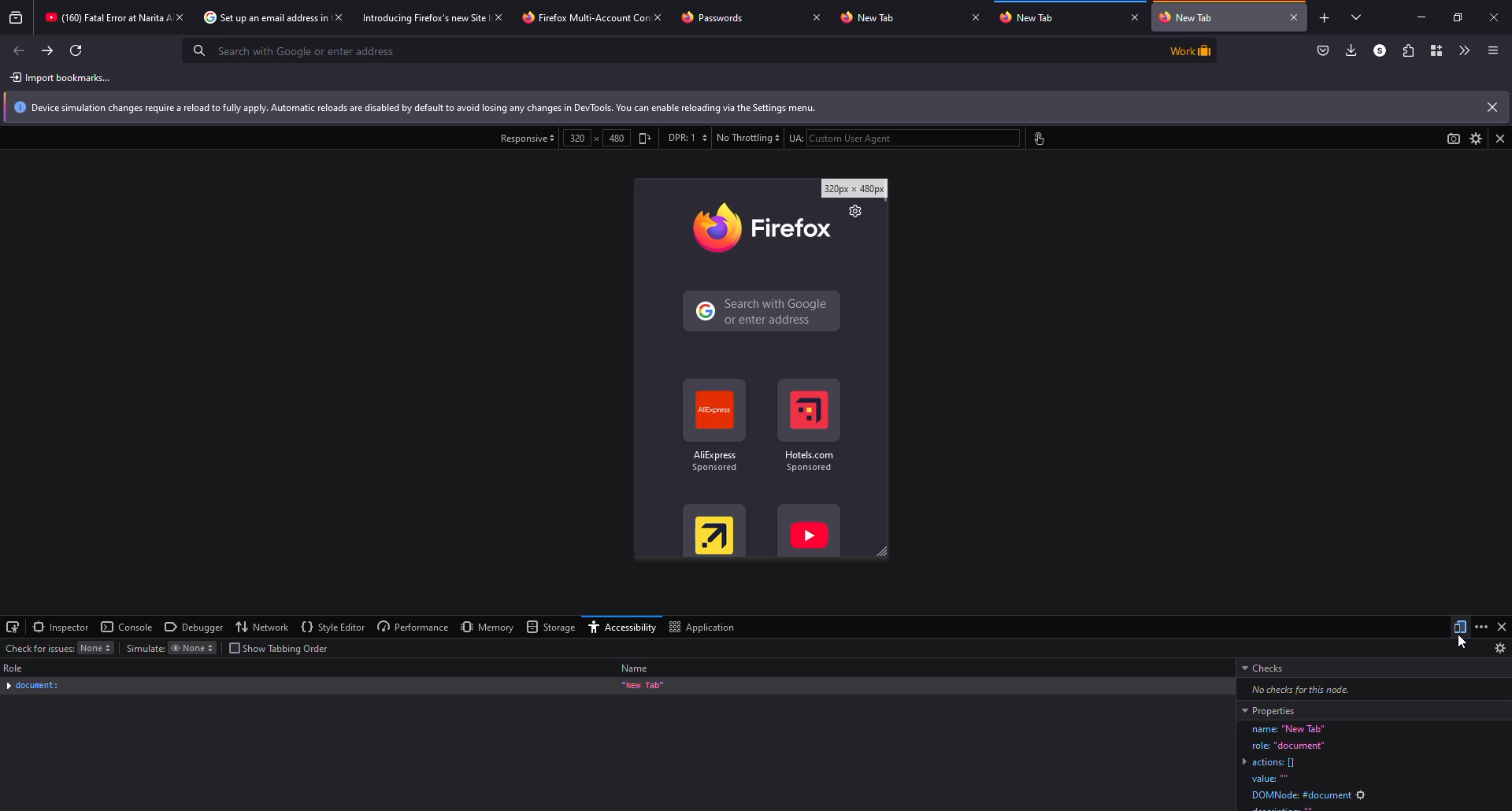 Image resolution: width=1512 pixels, height=811 pixels. I want to click on tab, so click(257, 18).